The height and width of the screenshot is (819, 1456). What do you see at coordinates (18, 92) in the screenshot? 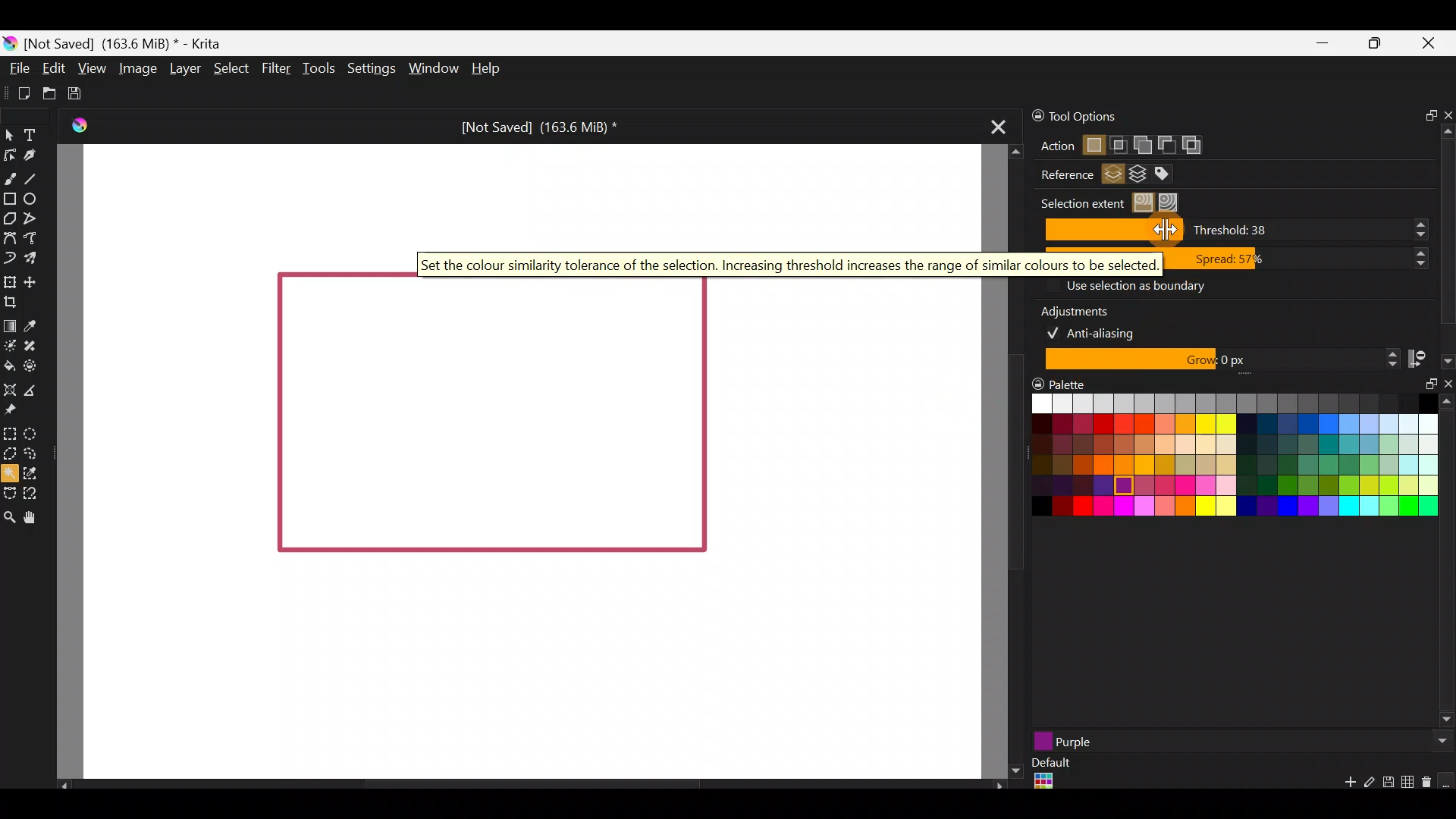
I see `Create new document` at bounding box center [18, 92].